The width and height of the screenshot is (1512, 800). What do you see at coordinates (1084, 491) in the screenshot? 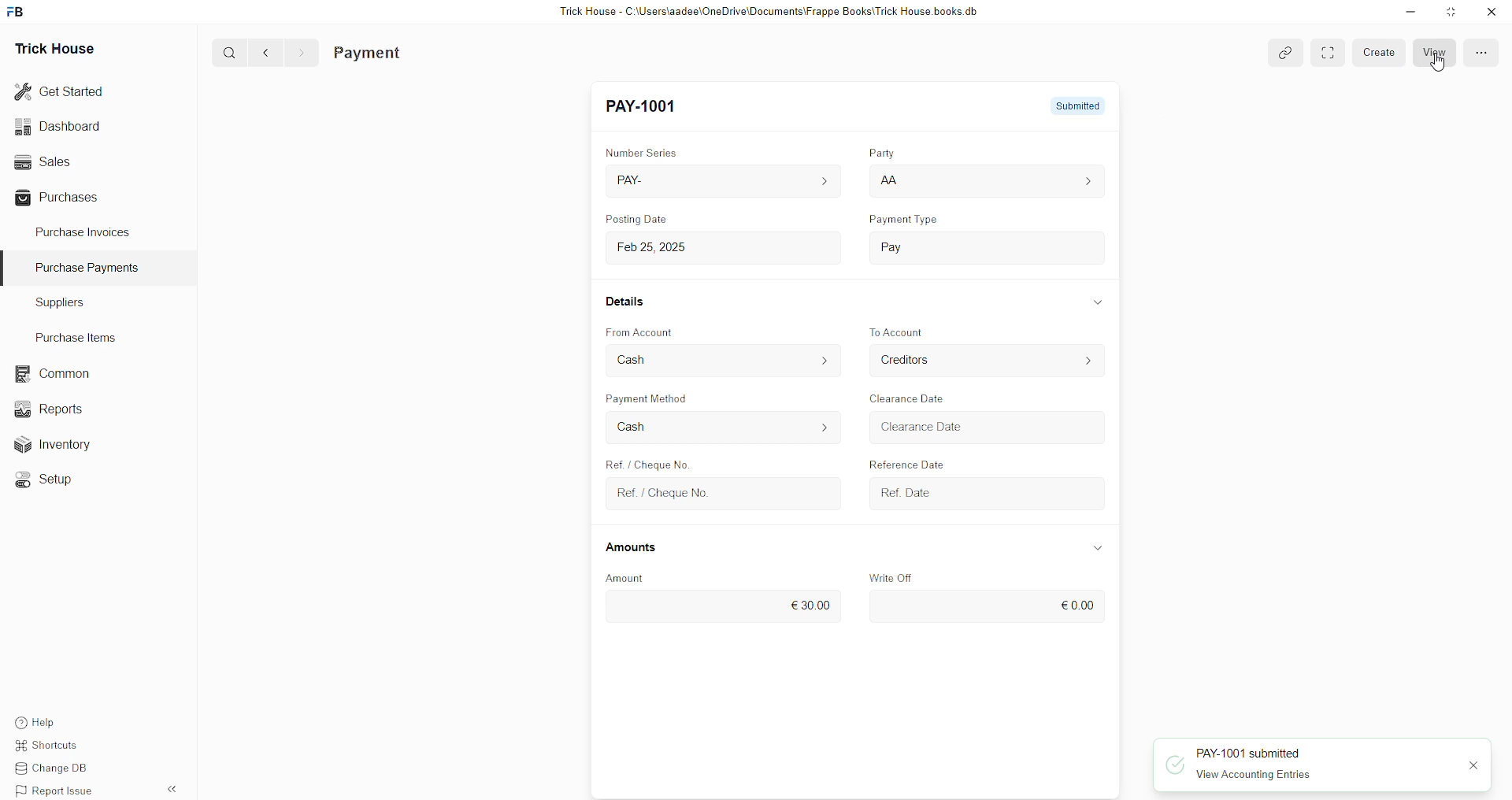
I see `calendar` at bounding box center [1084, 491].